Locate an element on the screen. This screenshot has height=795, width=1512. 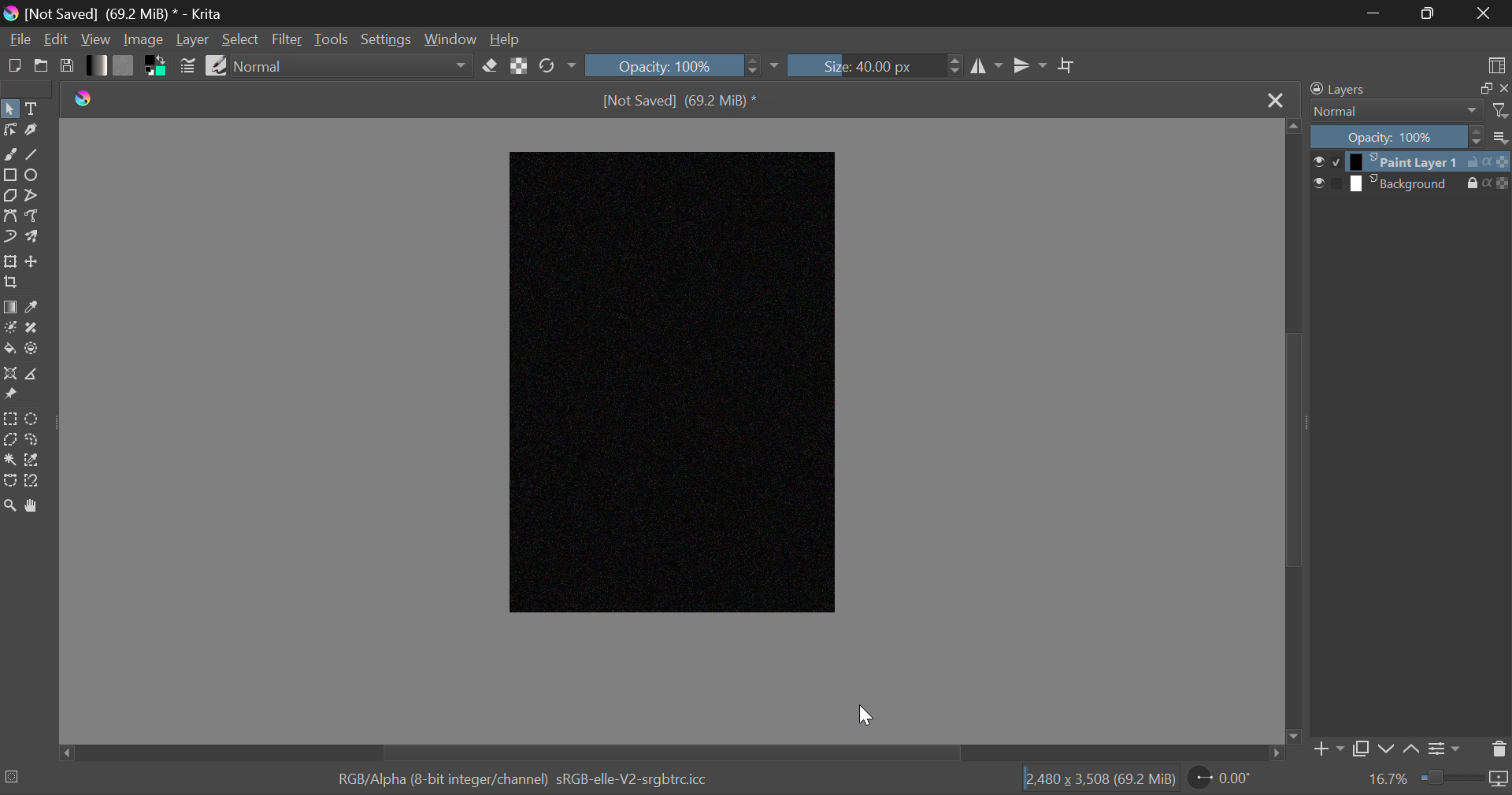
View is located at coordinates (96, 40).